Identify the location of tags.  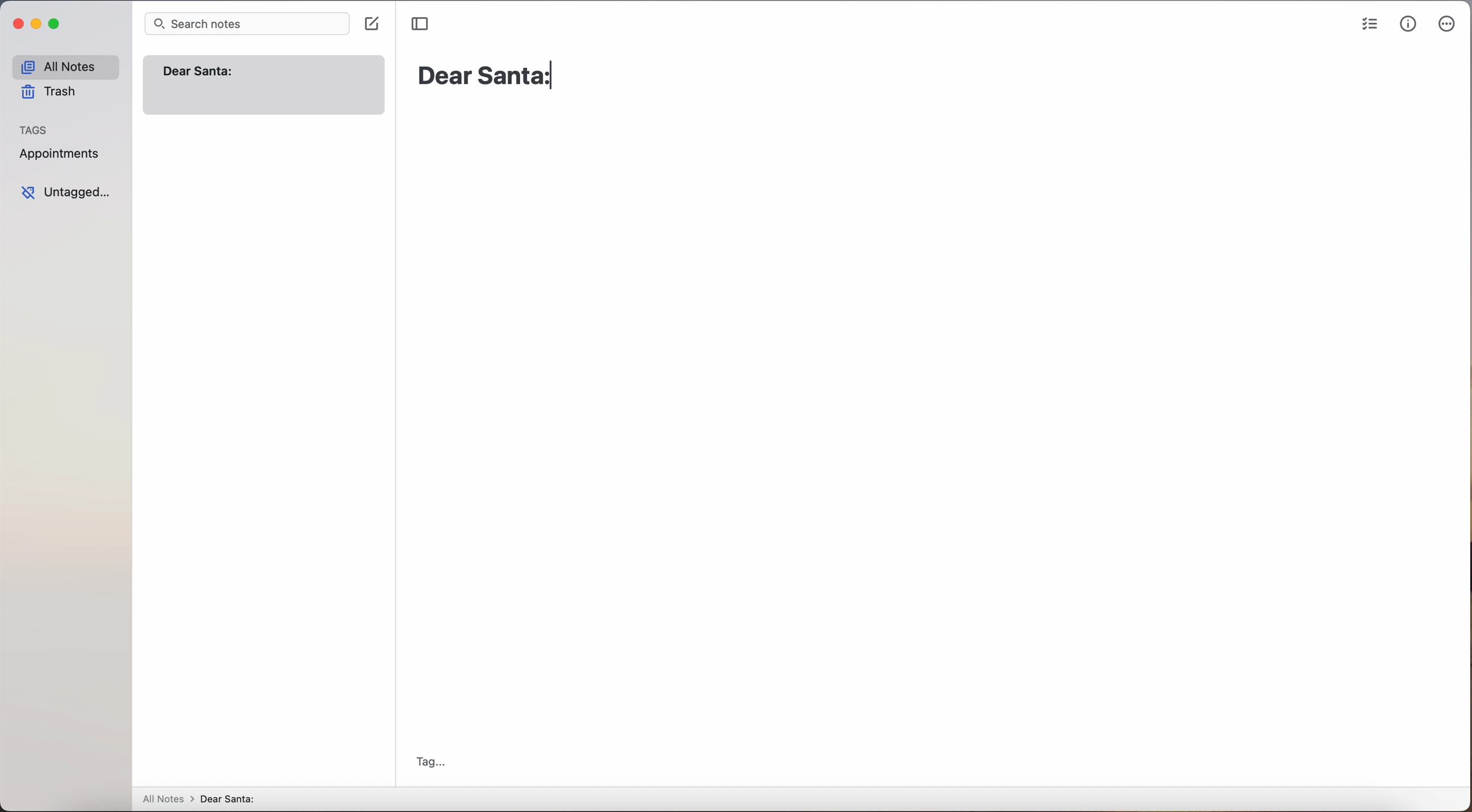
(38, 129).